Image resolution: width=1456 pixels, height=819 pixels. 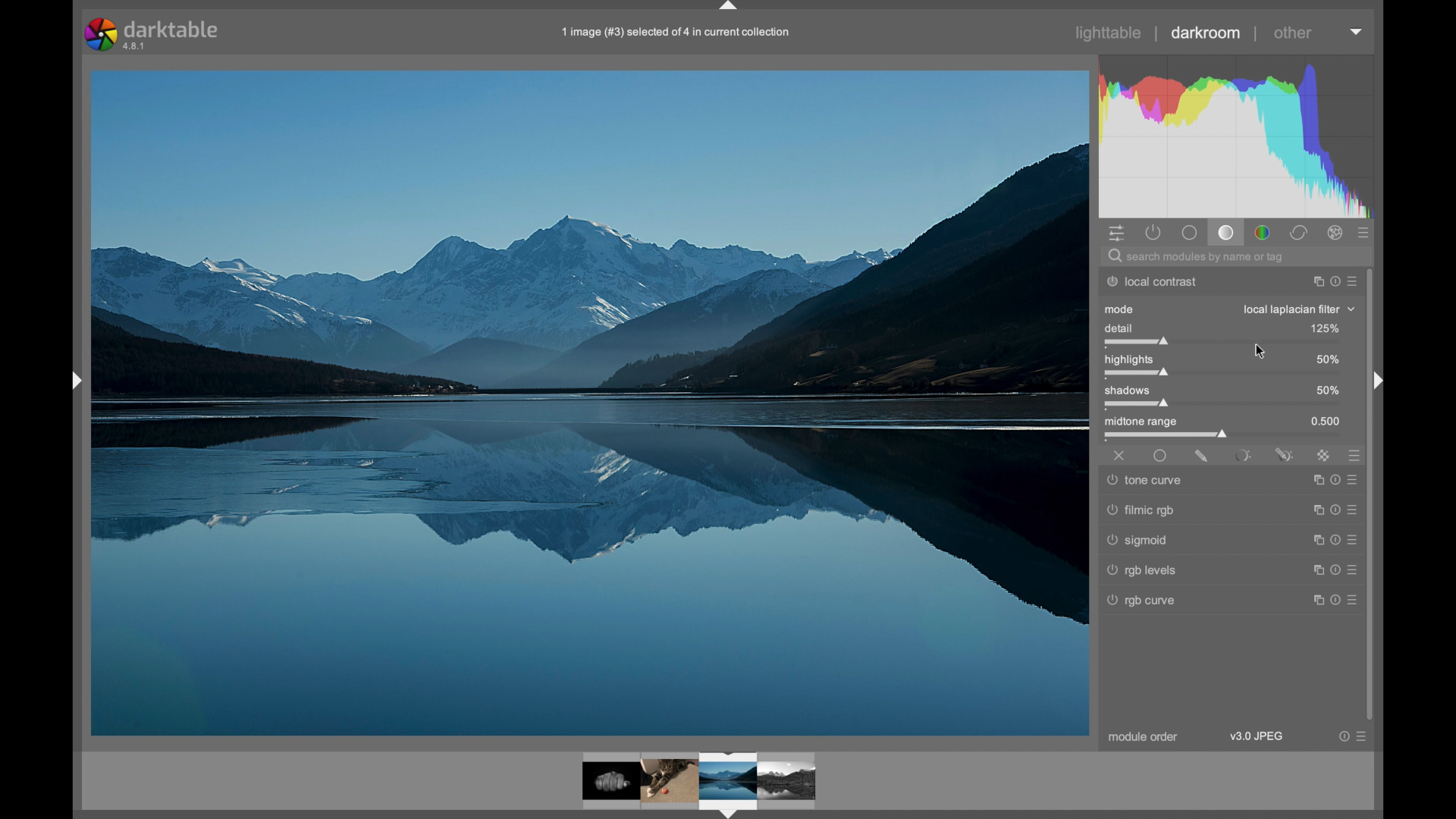 What do you see at coordinates (1338, 480) in the screenshot?
I see `more options` at bounding box center [1338, 480].